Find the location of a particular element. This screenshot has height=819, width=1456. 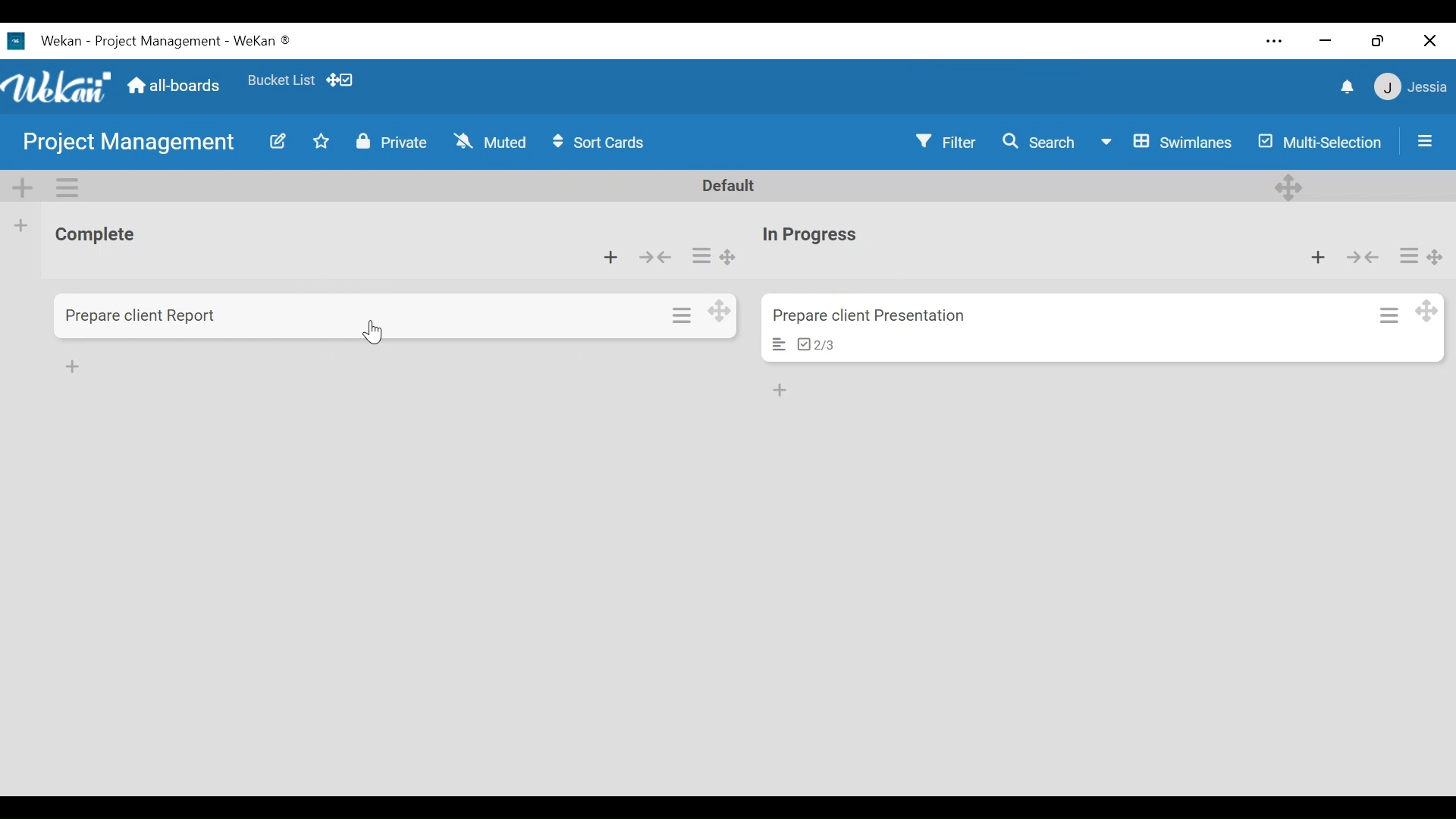

Wekan is located at coordinates (48, 42).